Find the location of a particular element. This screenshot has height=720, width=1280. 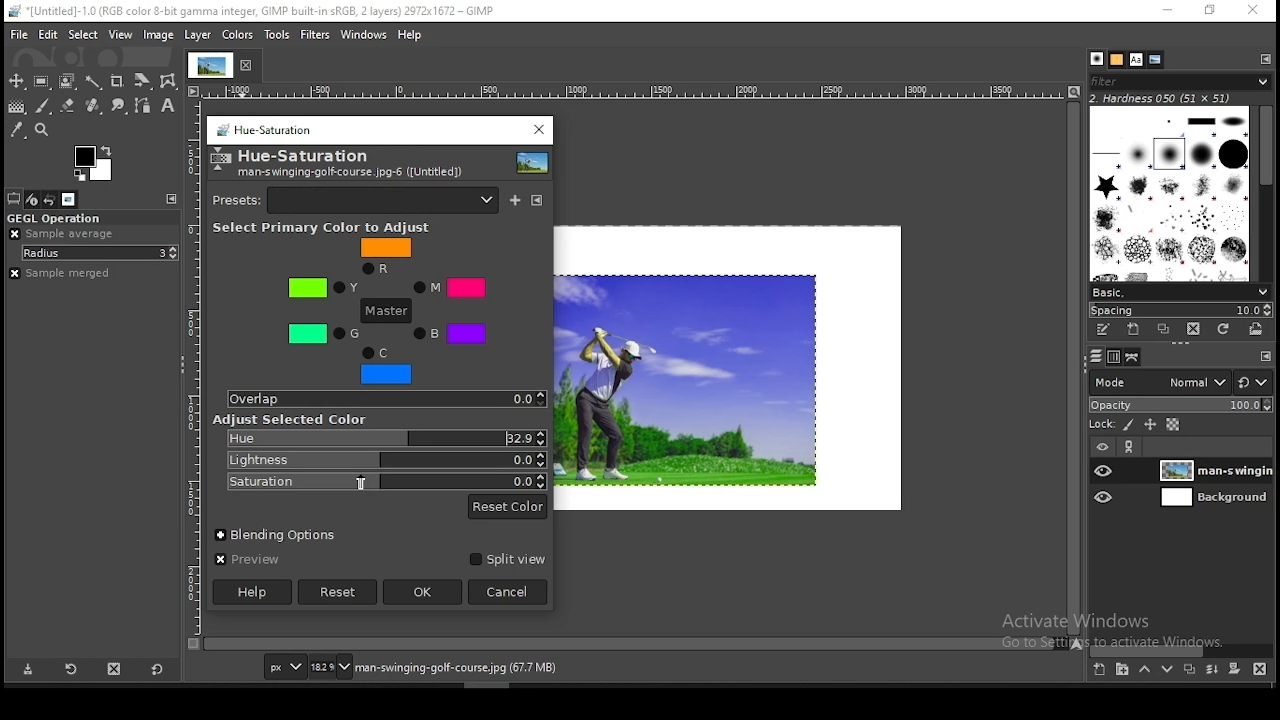

fuzzy select tool is located at coordinates (92, 82).